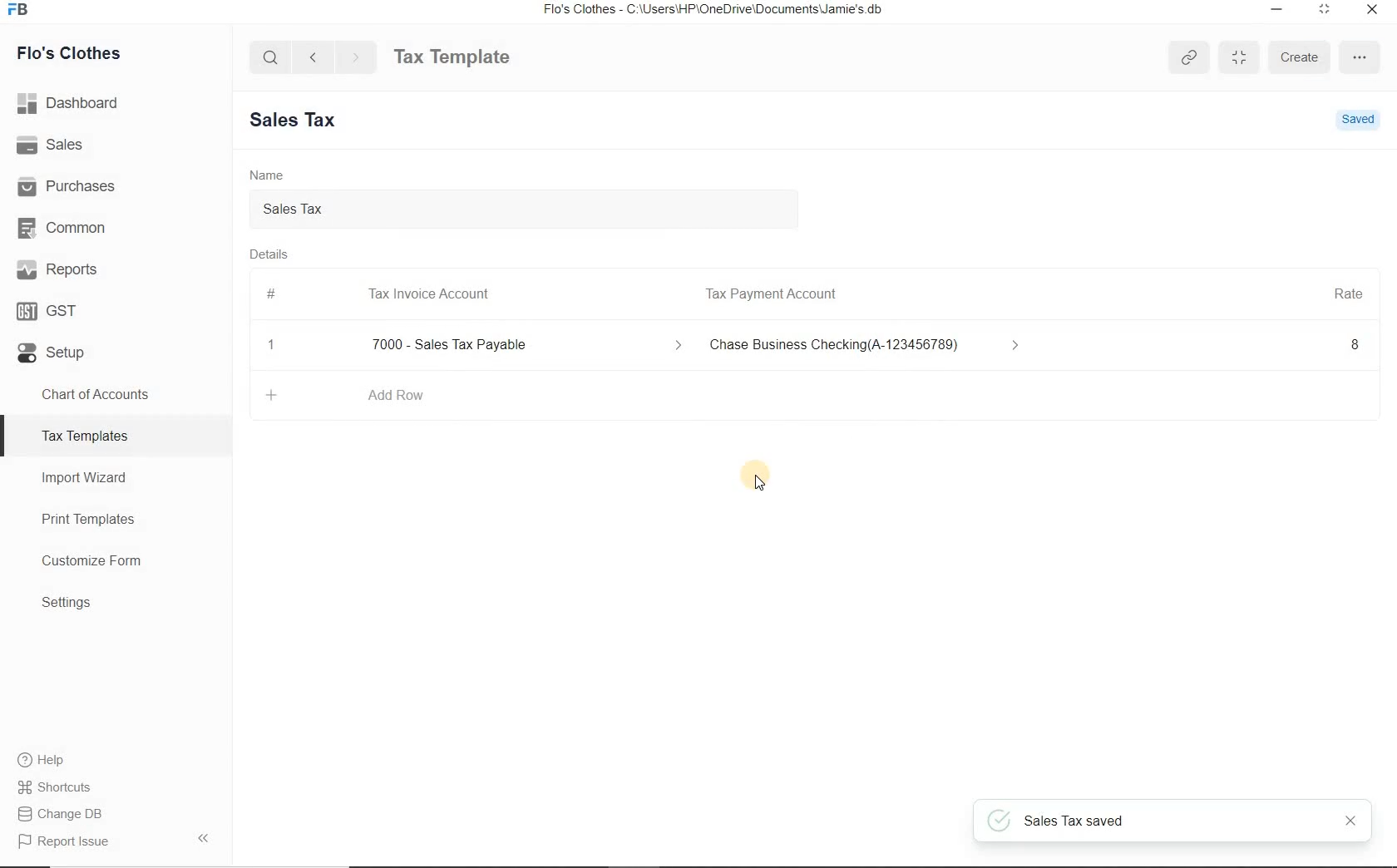 This screenshot has width=1397, height=868. I want to click on GST, so click(116, 308).